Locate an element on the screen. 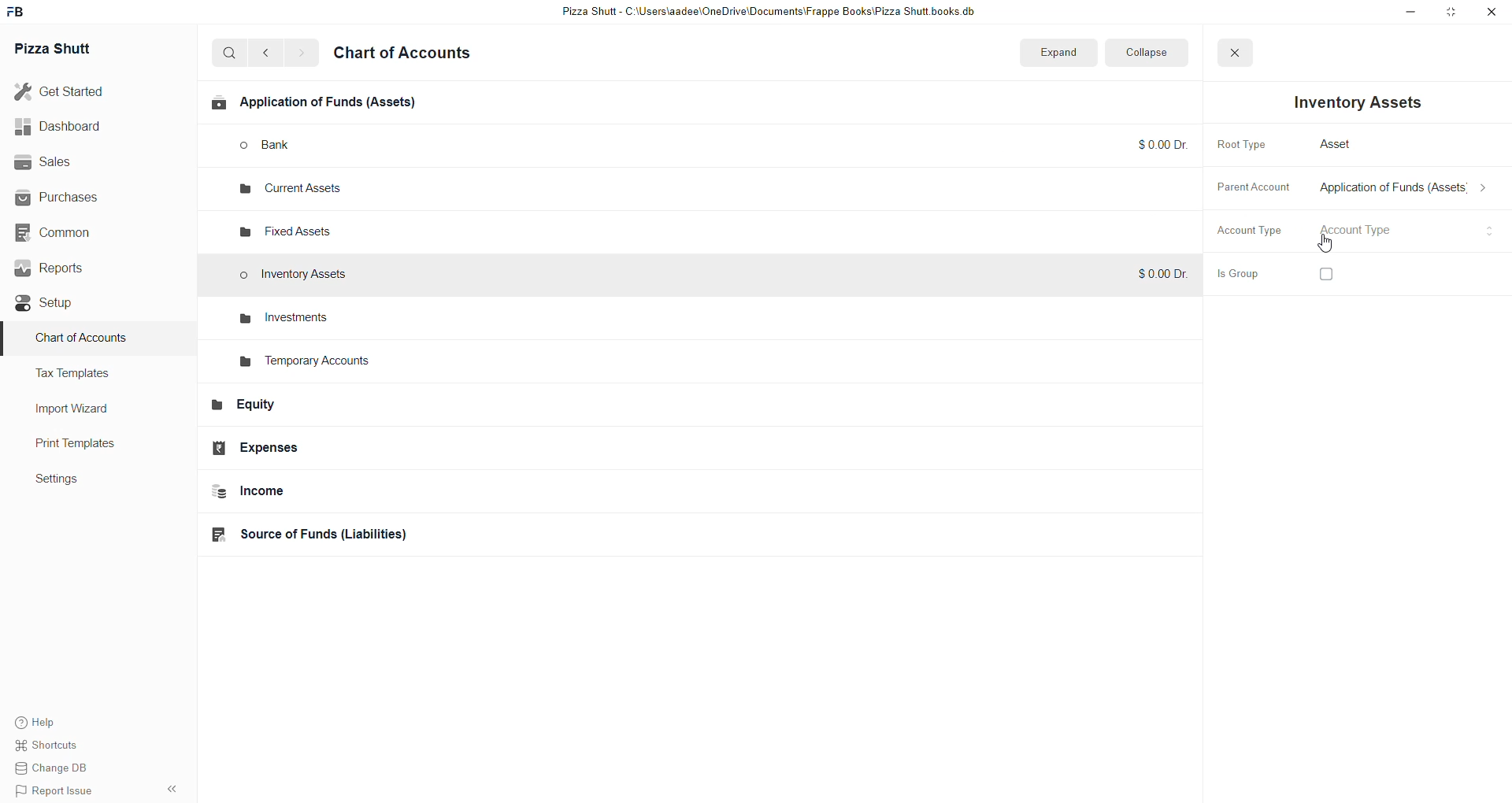 The image size is (1512, 803). search is located at coordinates (230, 54).